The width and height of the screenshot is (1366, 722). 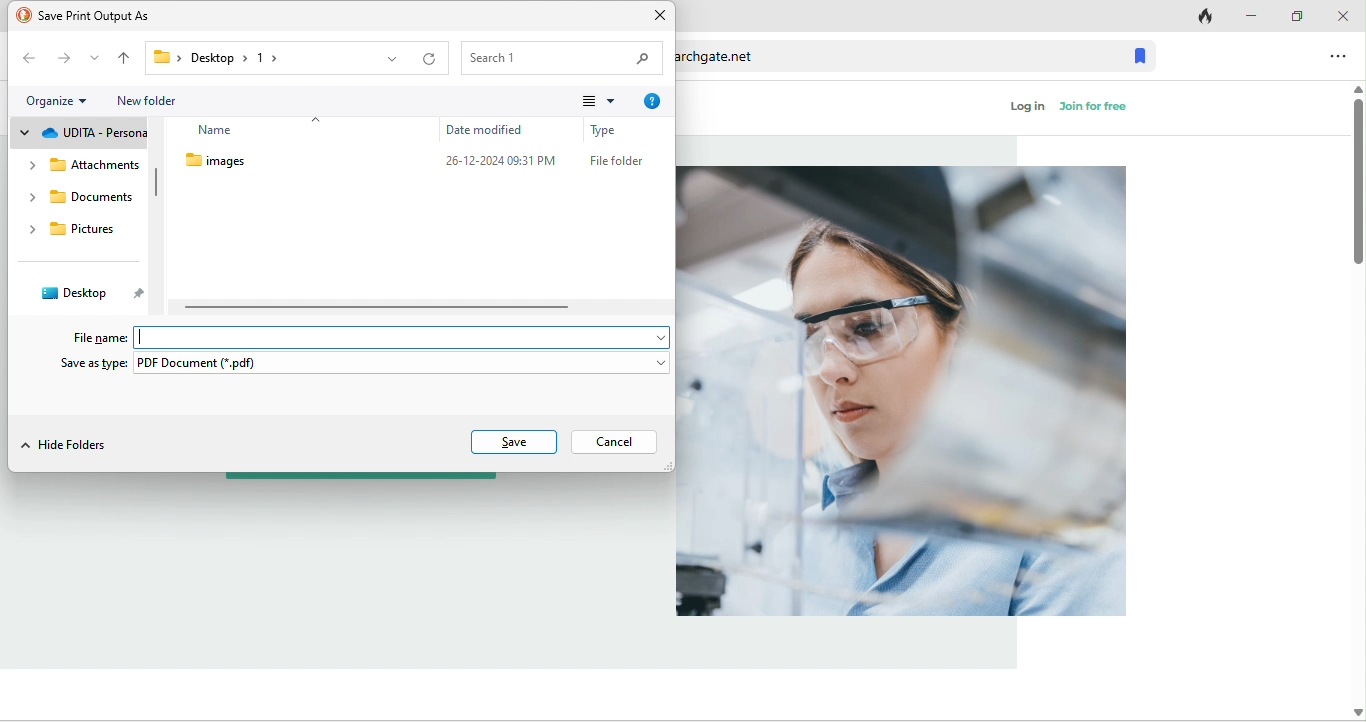 What do you see at coordinates (125, 59) in the screenshot?
I see `up to` at bounding box center [125, 59].